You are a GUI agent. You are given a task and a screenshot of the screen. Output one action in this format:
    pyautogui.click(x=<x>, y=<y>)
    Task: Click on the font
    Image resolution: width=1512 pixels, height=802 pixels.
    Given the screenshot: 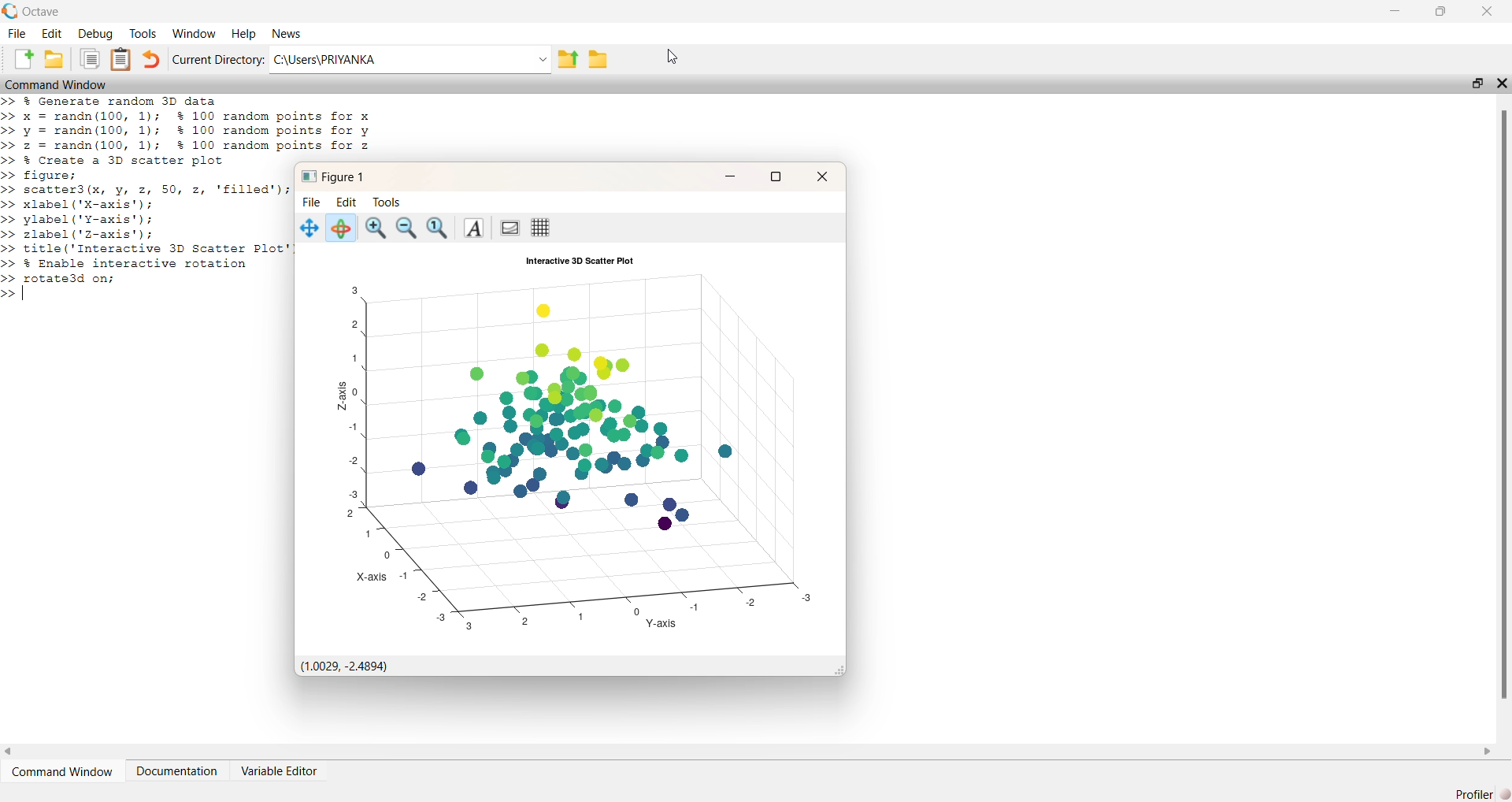 What is the action you would take?
    pyautogui.click(x=472, y=228)
    